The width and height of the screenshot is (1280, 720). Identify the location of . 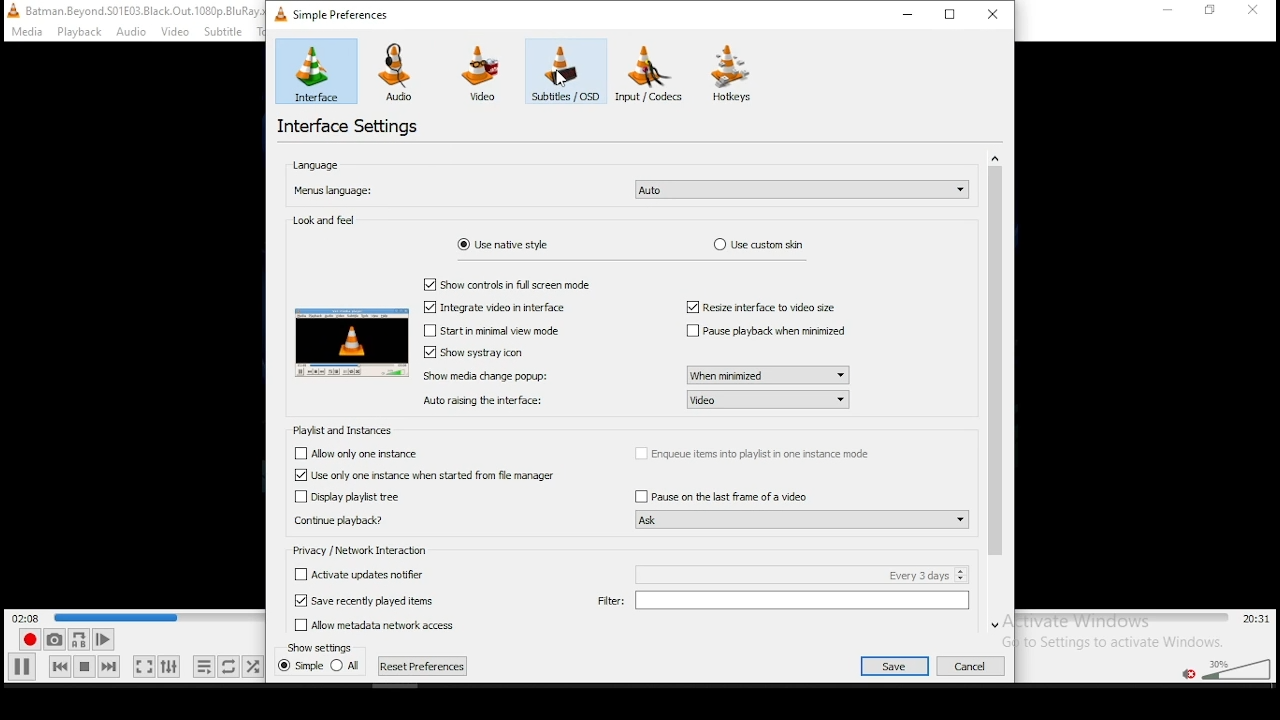
(977, 664).